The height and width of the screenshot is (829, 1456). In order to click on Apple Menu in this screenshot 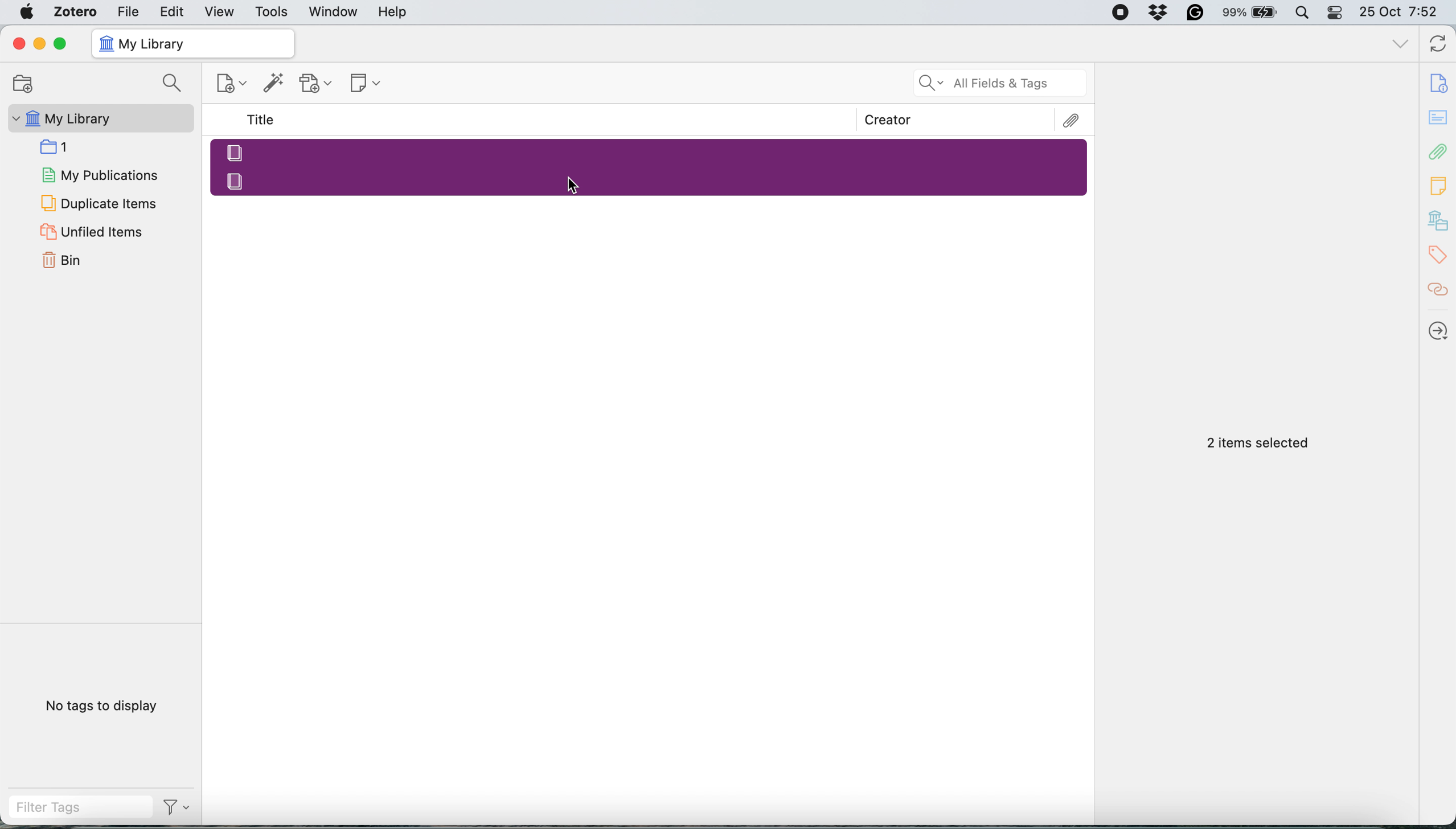, I will do `click(29, 12)`.